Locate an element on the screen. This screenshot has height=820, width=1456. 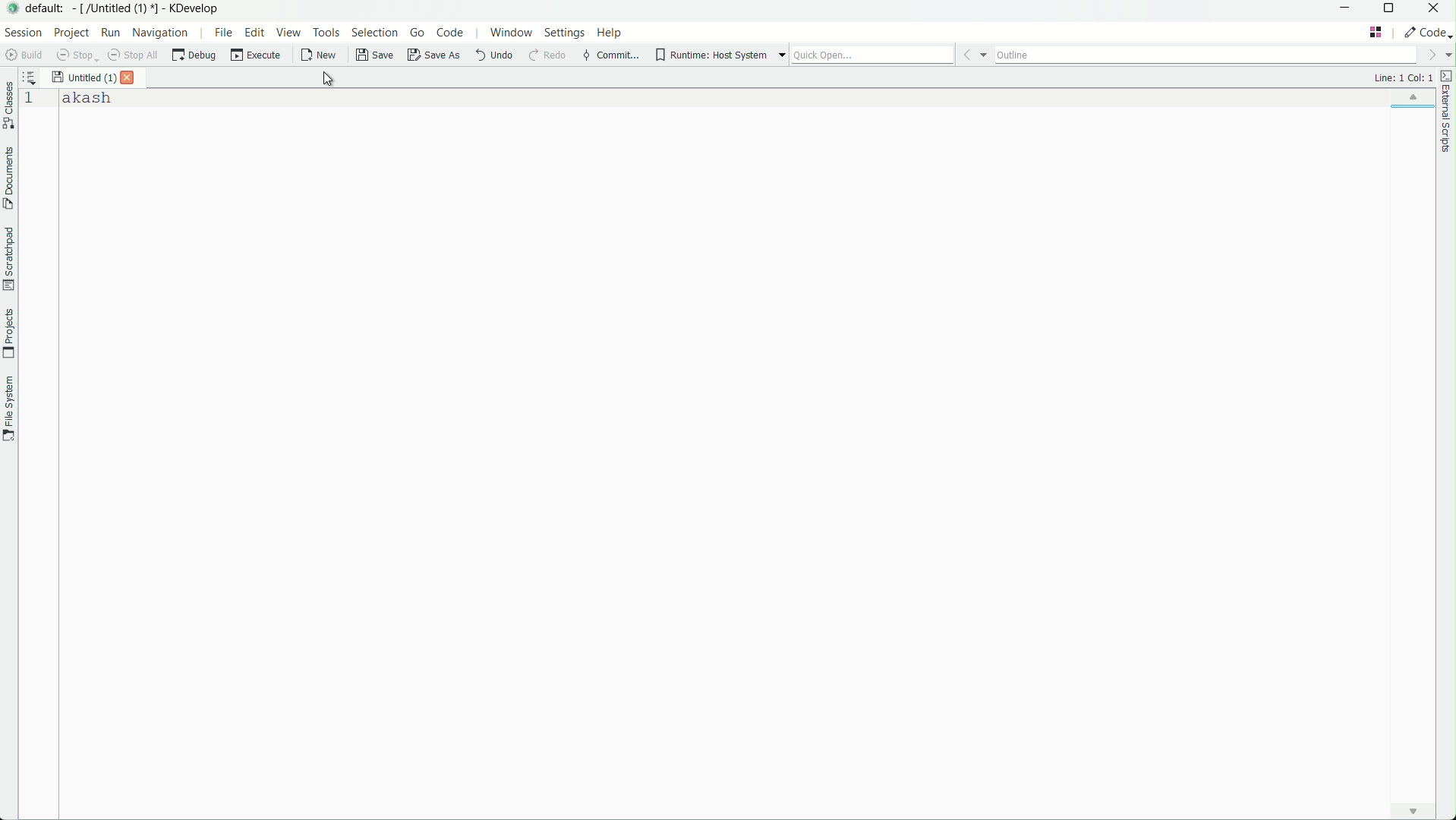
[/untitled] is located at coordinates (116, 9).